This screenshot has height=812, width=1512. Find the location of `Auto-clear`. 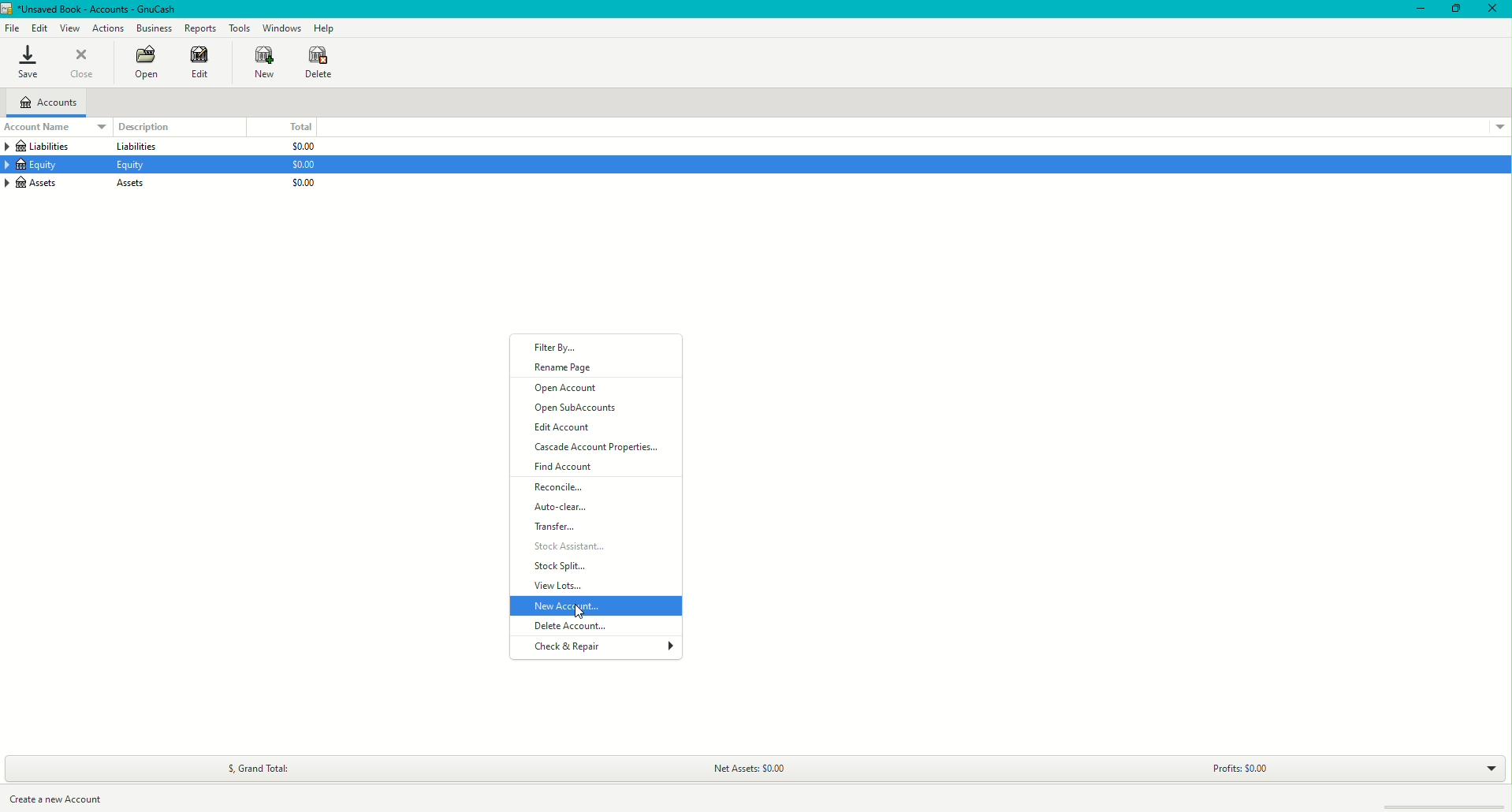

Auto-clear is located at coordinates (560, 508).